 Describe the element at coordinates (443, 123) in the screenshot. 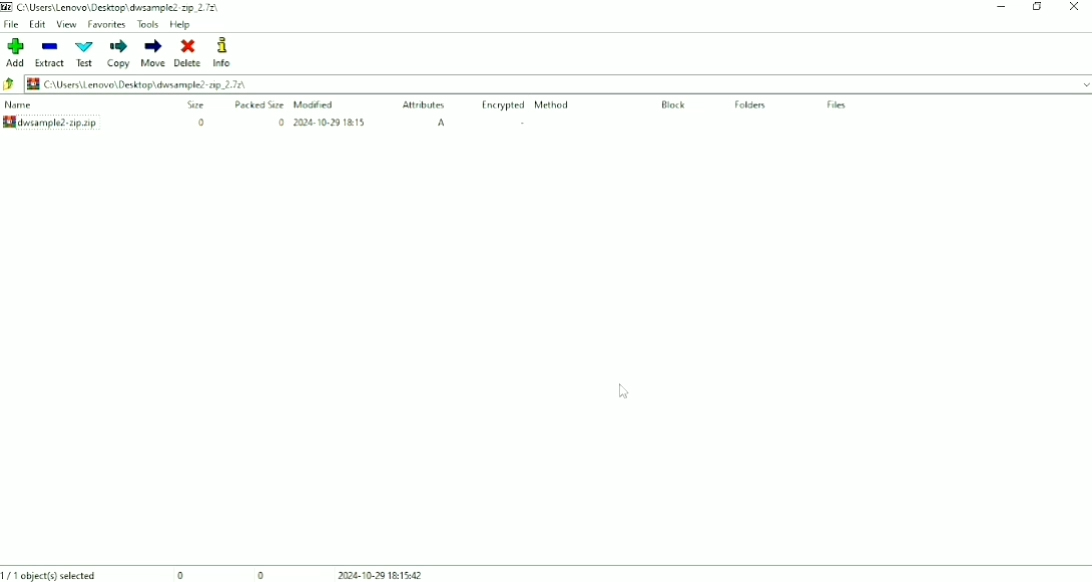

I see `A` at that location.